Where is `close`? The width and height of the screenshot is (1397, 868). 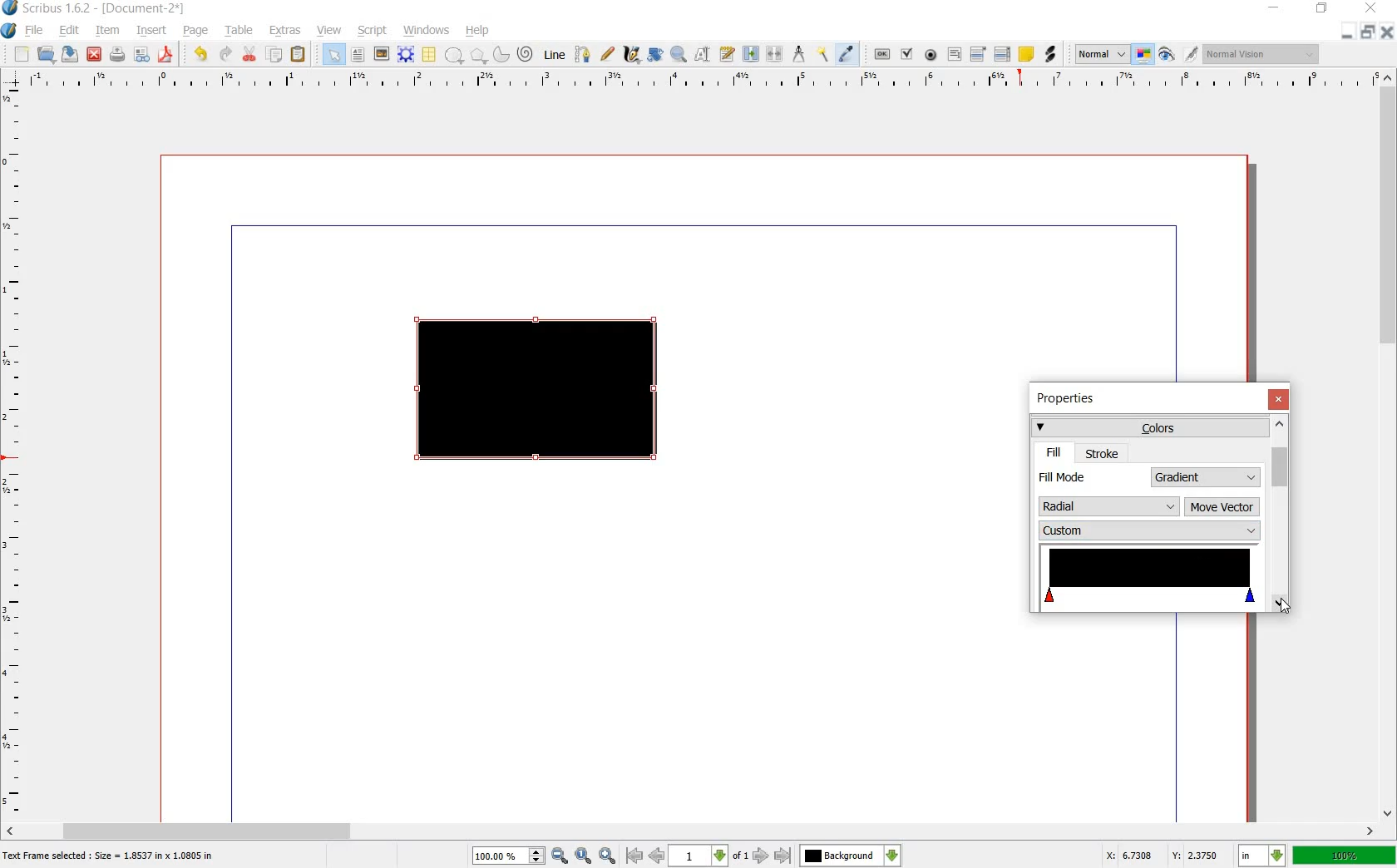
close is located at coordinates (96, 54).